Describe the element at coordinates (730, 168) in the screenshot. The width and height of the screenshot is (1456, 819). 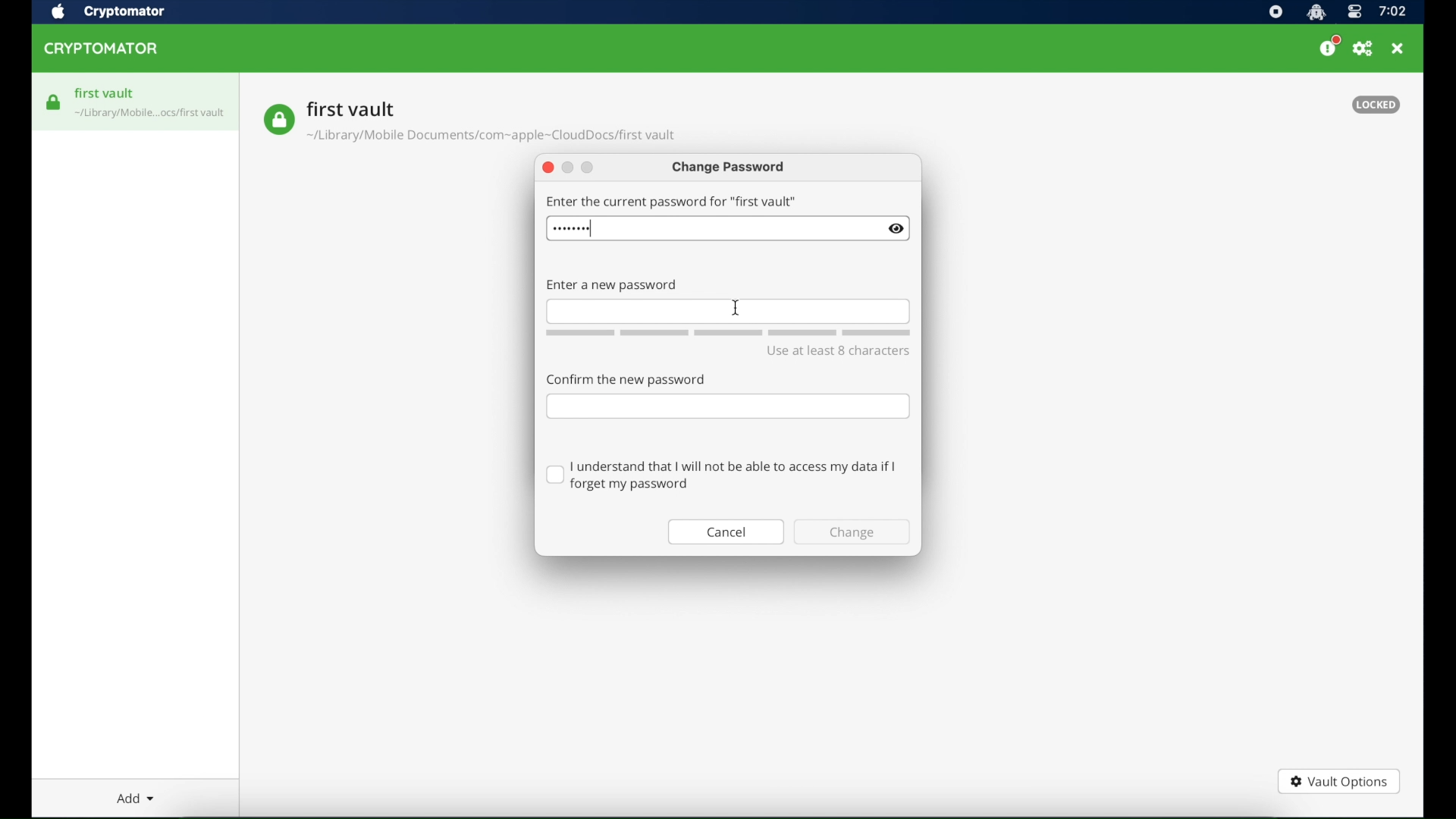
I see `change password` at that location.